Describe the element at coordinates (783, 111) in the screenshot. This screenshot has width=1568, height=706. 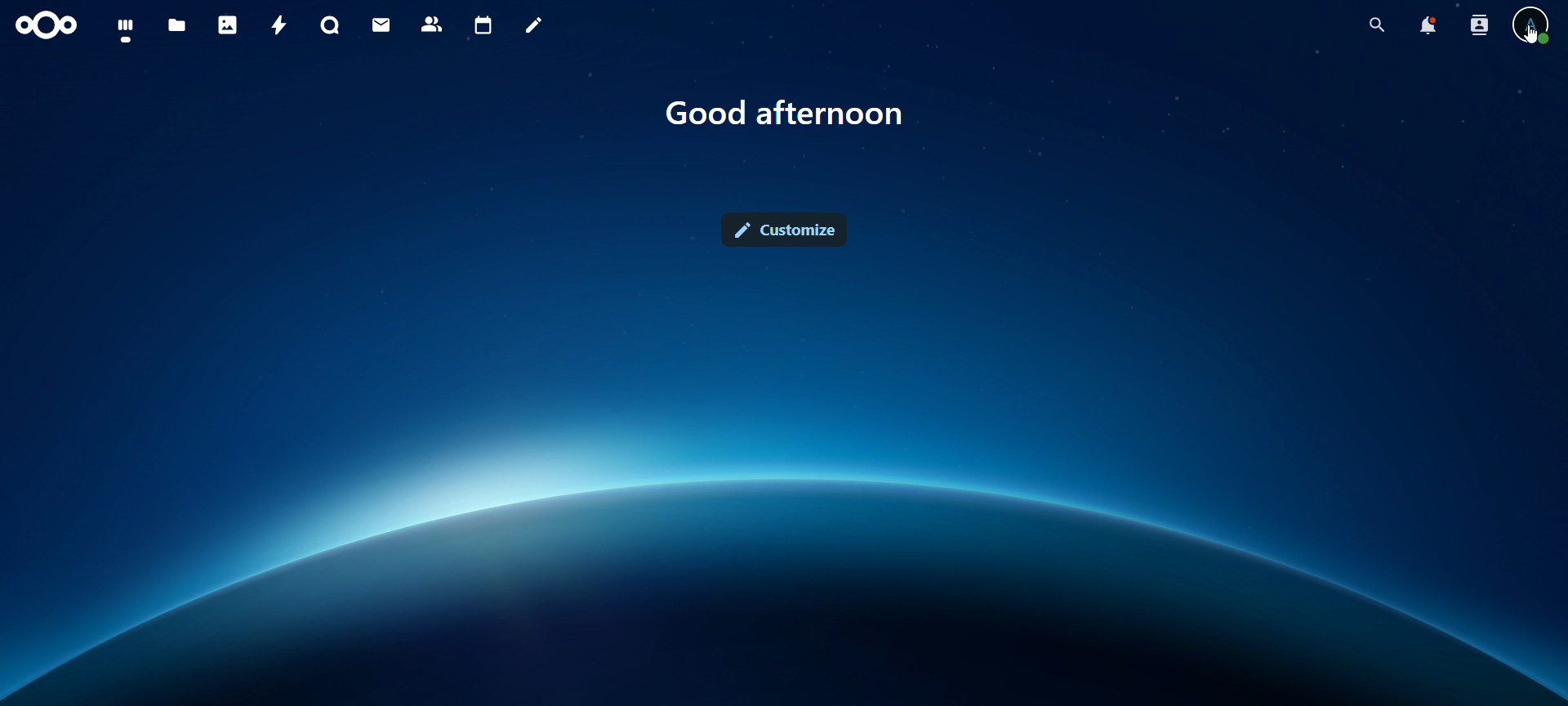
I see `text` at that location.